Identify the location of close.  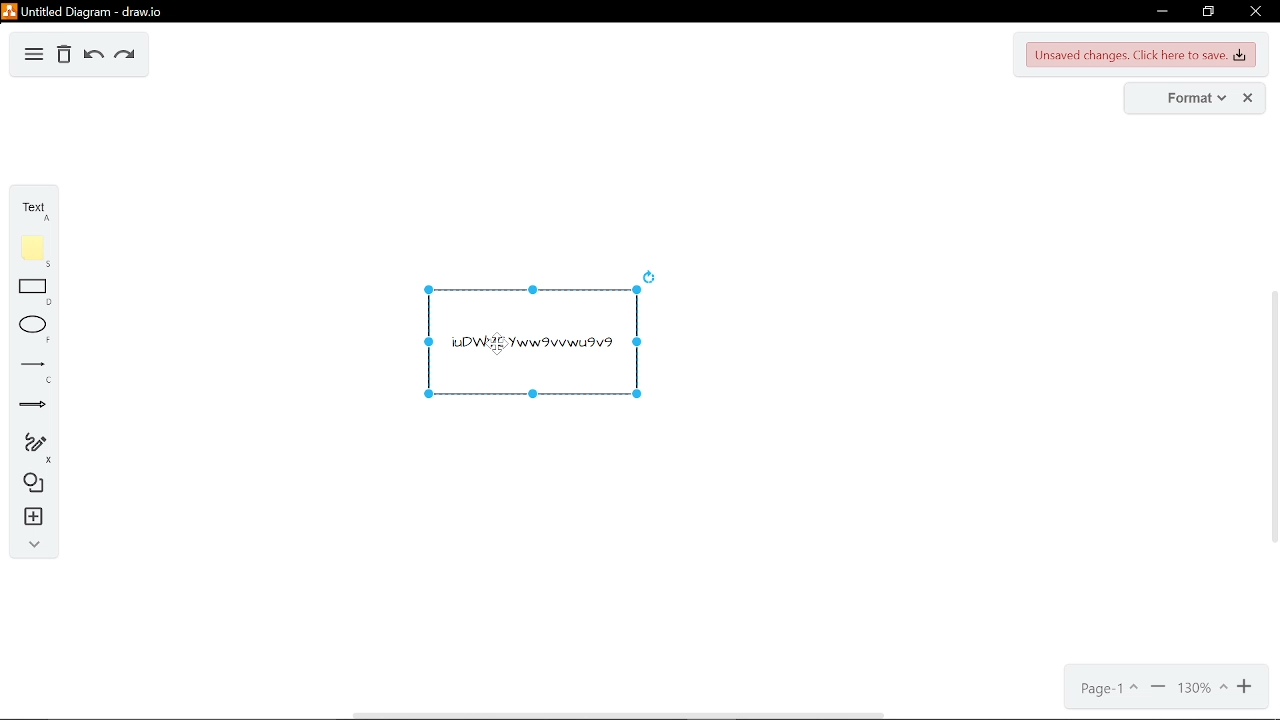
(1255, 11).